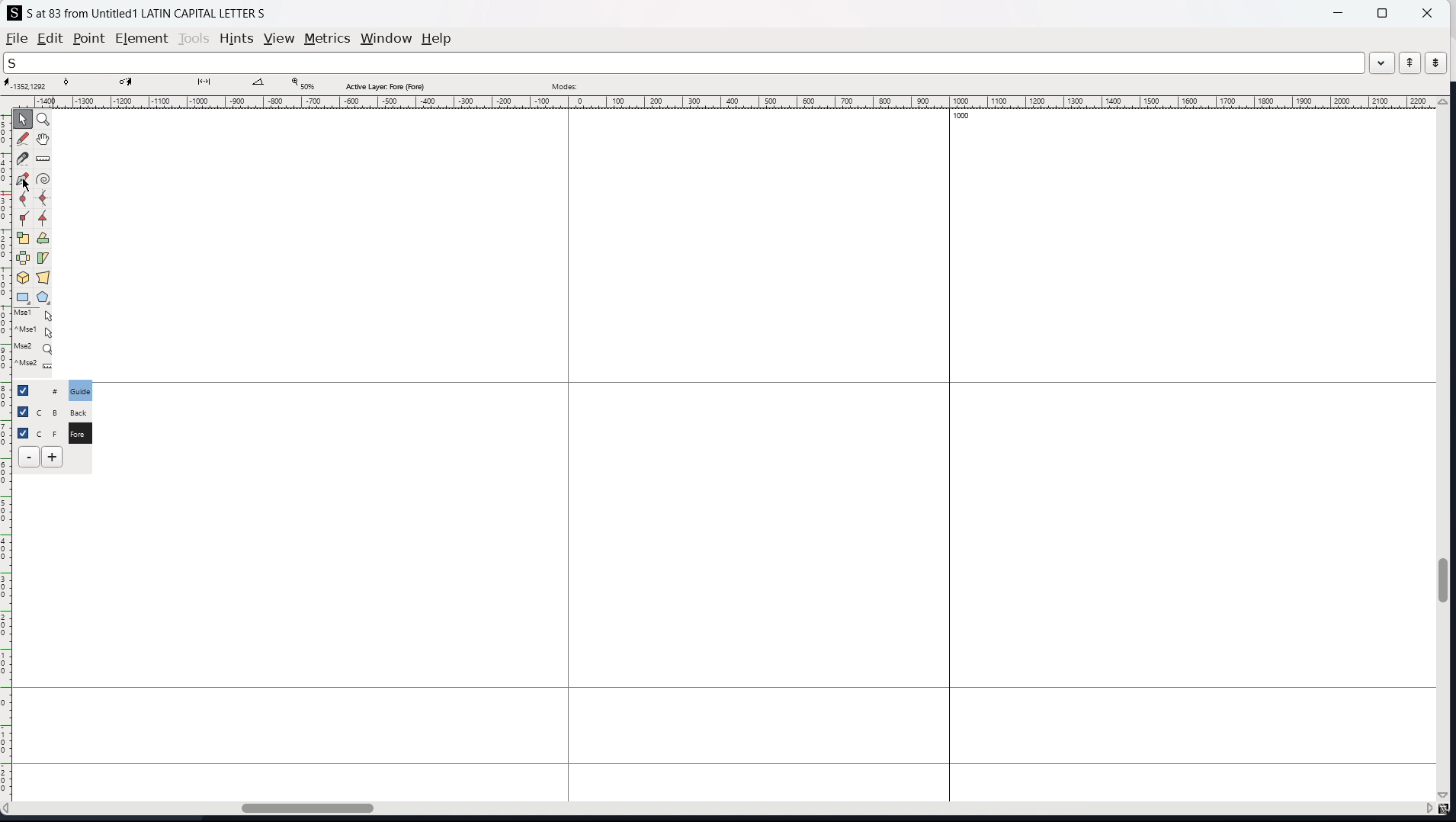 Image resolution: width=1456 pixels, height=822 pixels. Describe the element at coordinates (303, 85) in the screenshot. I see `zoom level` at that location.